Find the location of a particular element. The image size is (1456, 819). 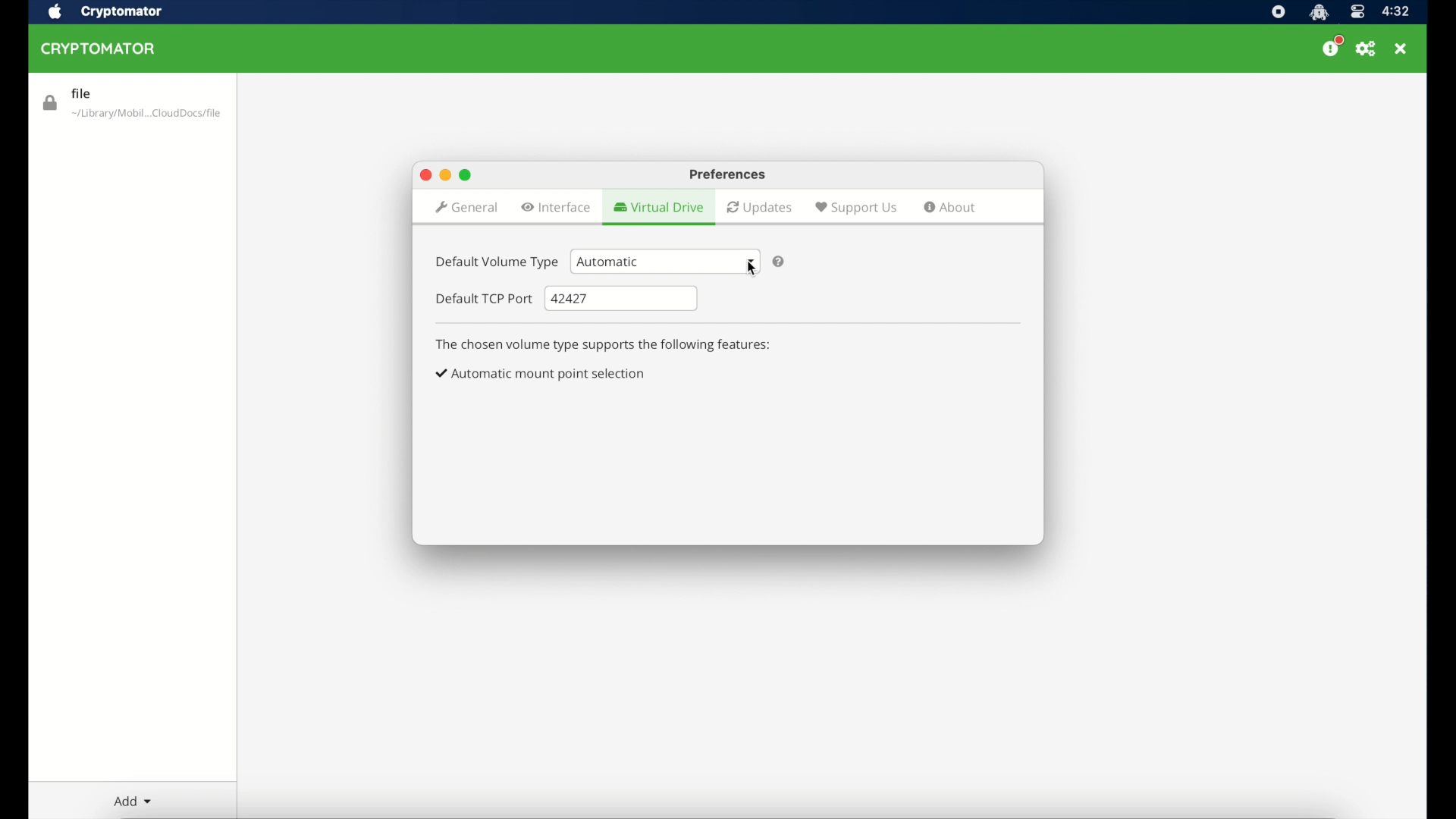

checkbox is located at coordinates (541, 374).